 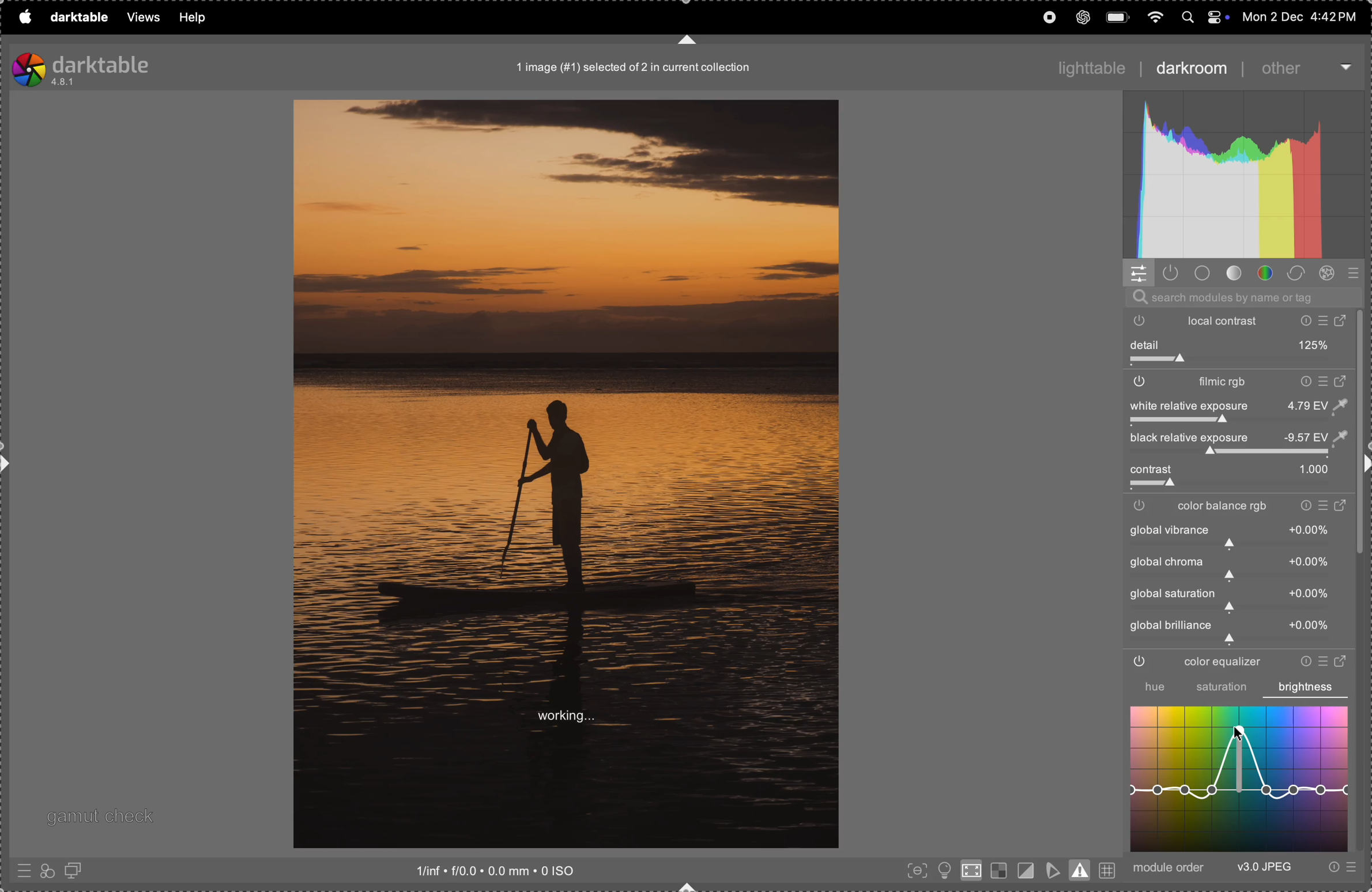 I want to click on v3 jpeg, so click(x=1264, y=868).